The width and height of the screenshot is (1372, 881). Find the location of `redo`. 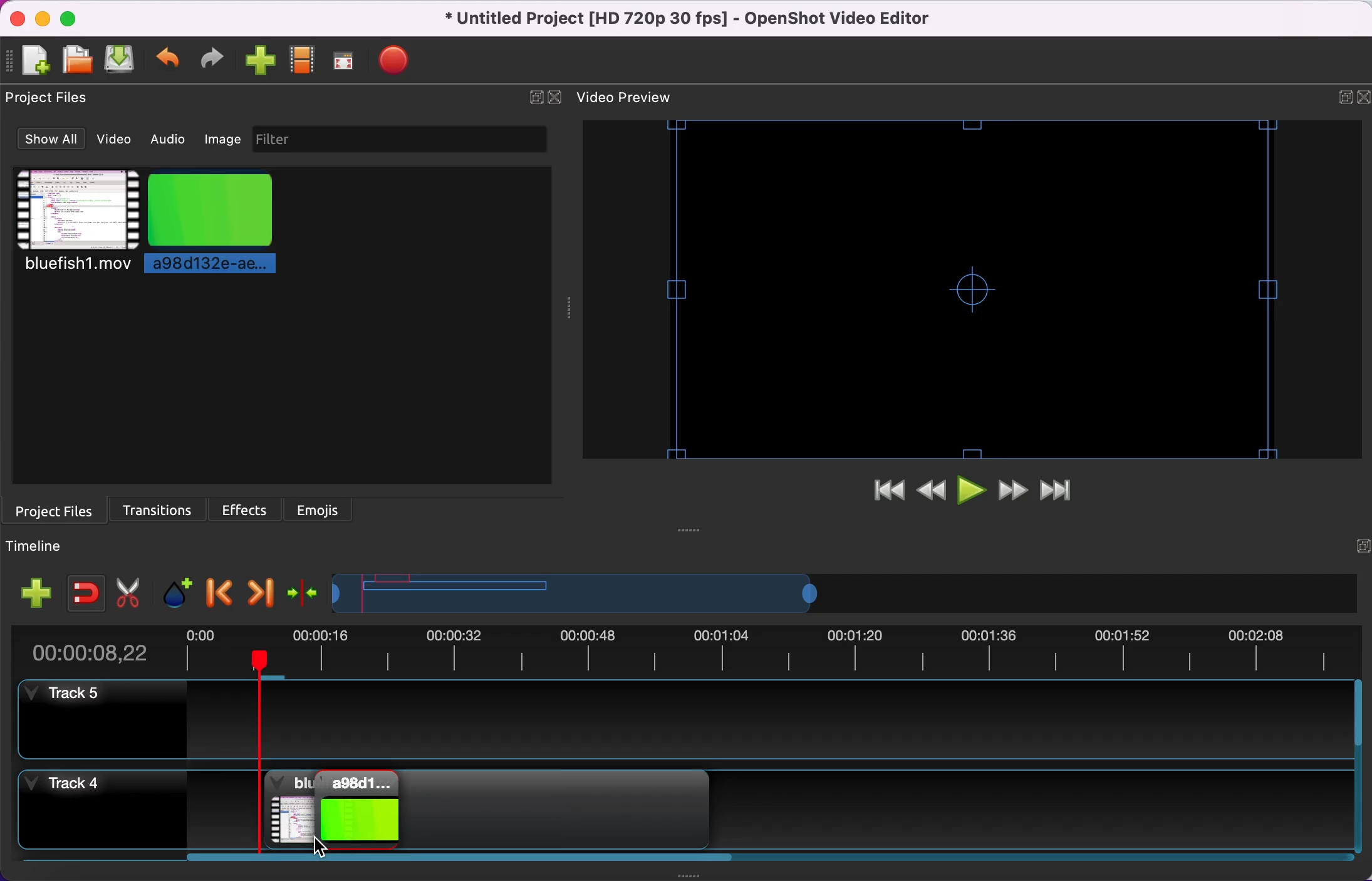

redo is located at coordinates (210, 58).